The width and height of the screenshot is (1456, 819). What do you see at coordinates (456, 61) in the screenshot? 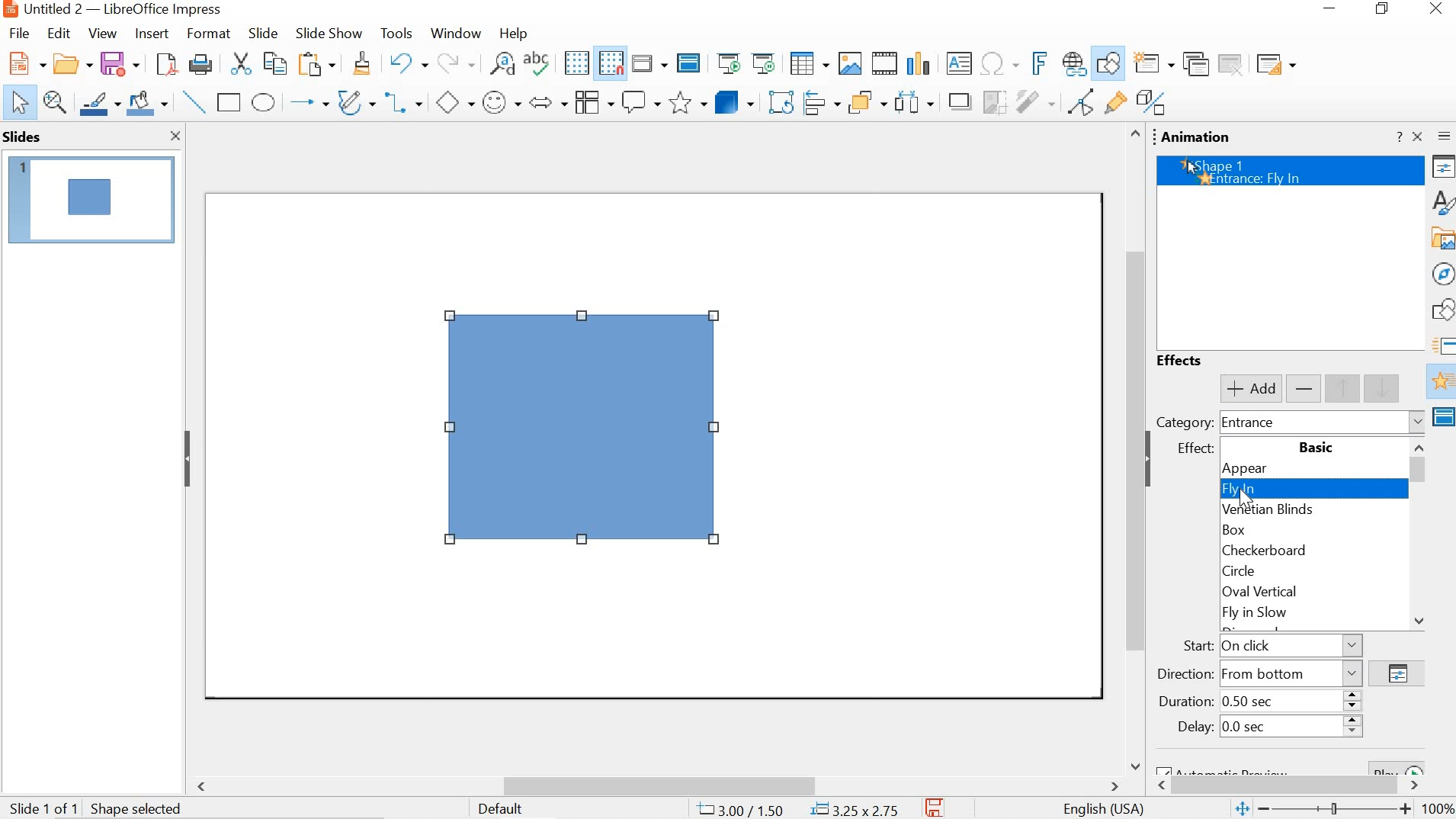
I see `redo` at bounding box center [456, 61].